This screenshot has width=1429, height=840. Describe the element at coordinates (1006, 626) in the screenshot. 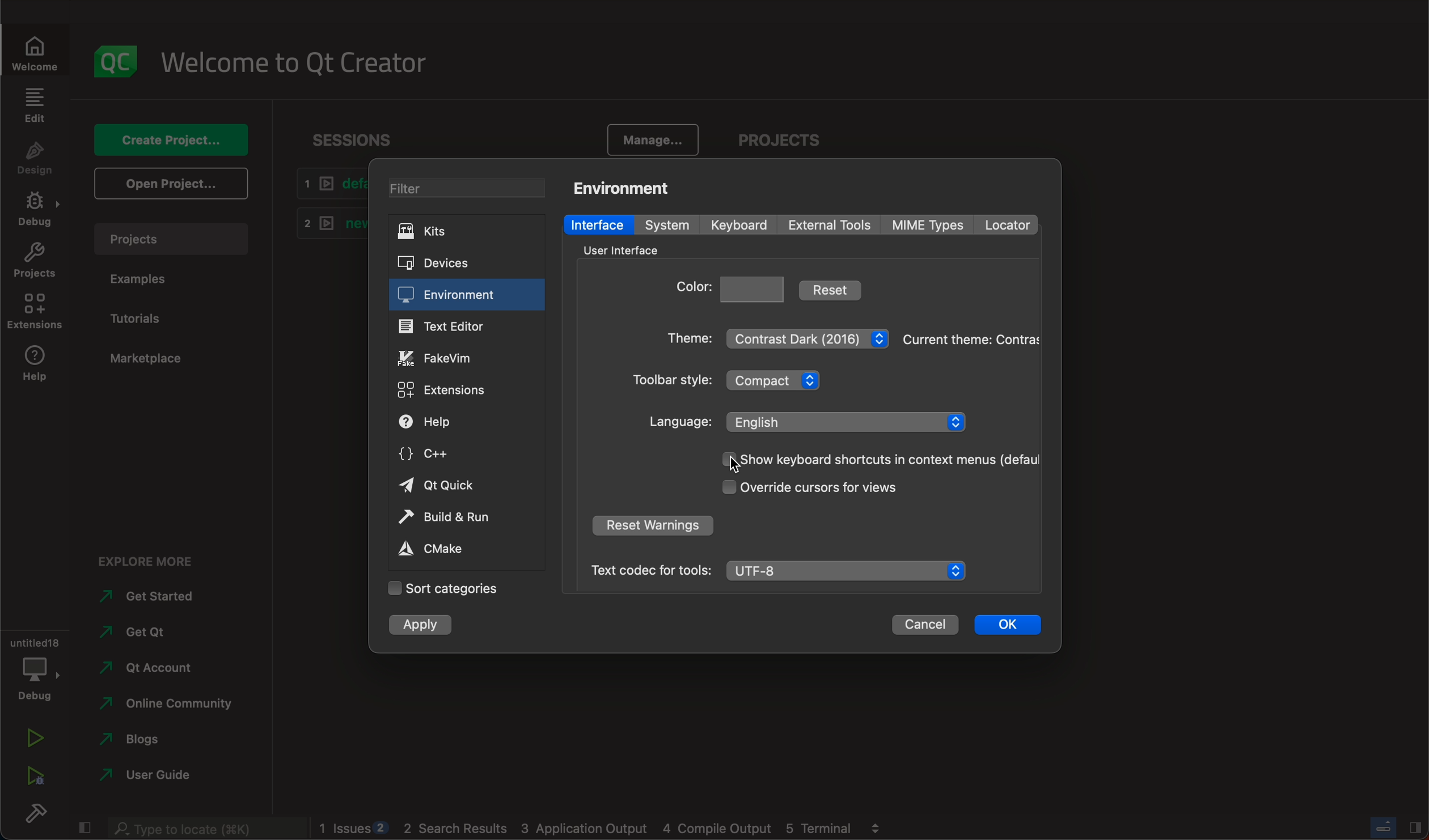

I see `ok` at that location.